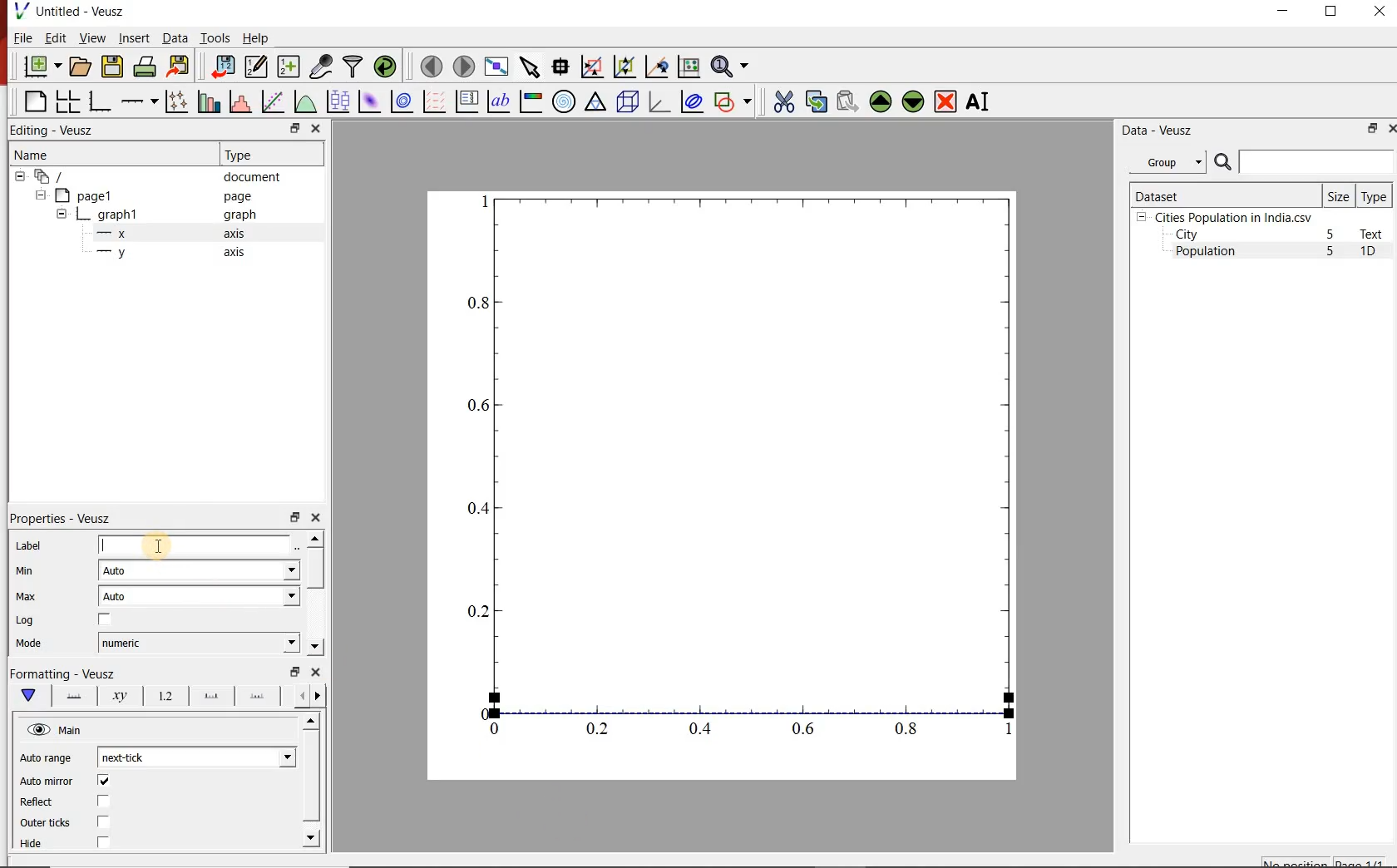  Describe the element at coordinates (622, 68) in the screenshot. I see `click to zoom out of graph axes` at that location.